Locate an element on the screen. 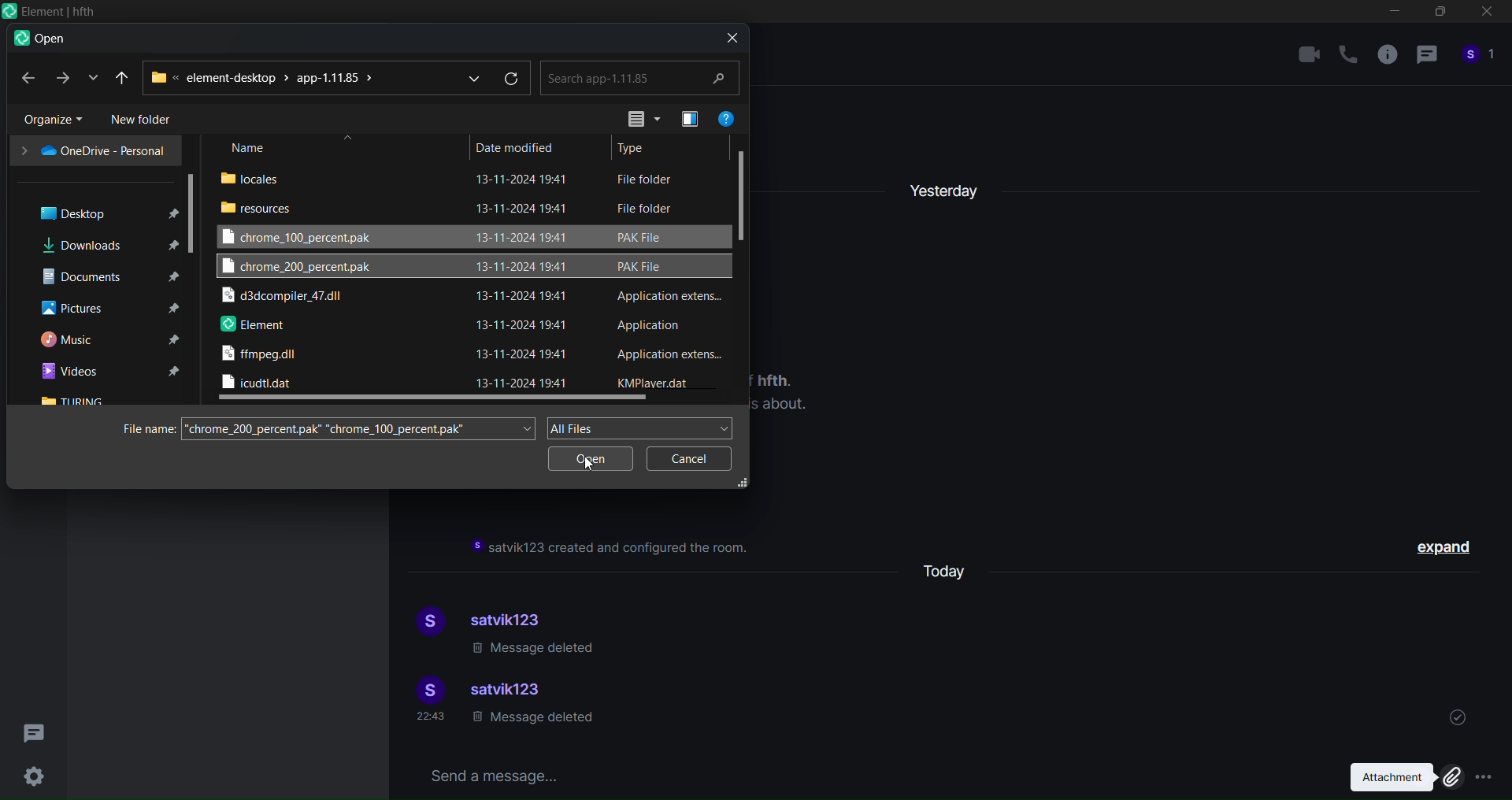  maximize is located at coordinates (1438, 15).